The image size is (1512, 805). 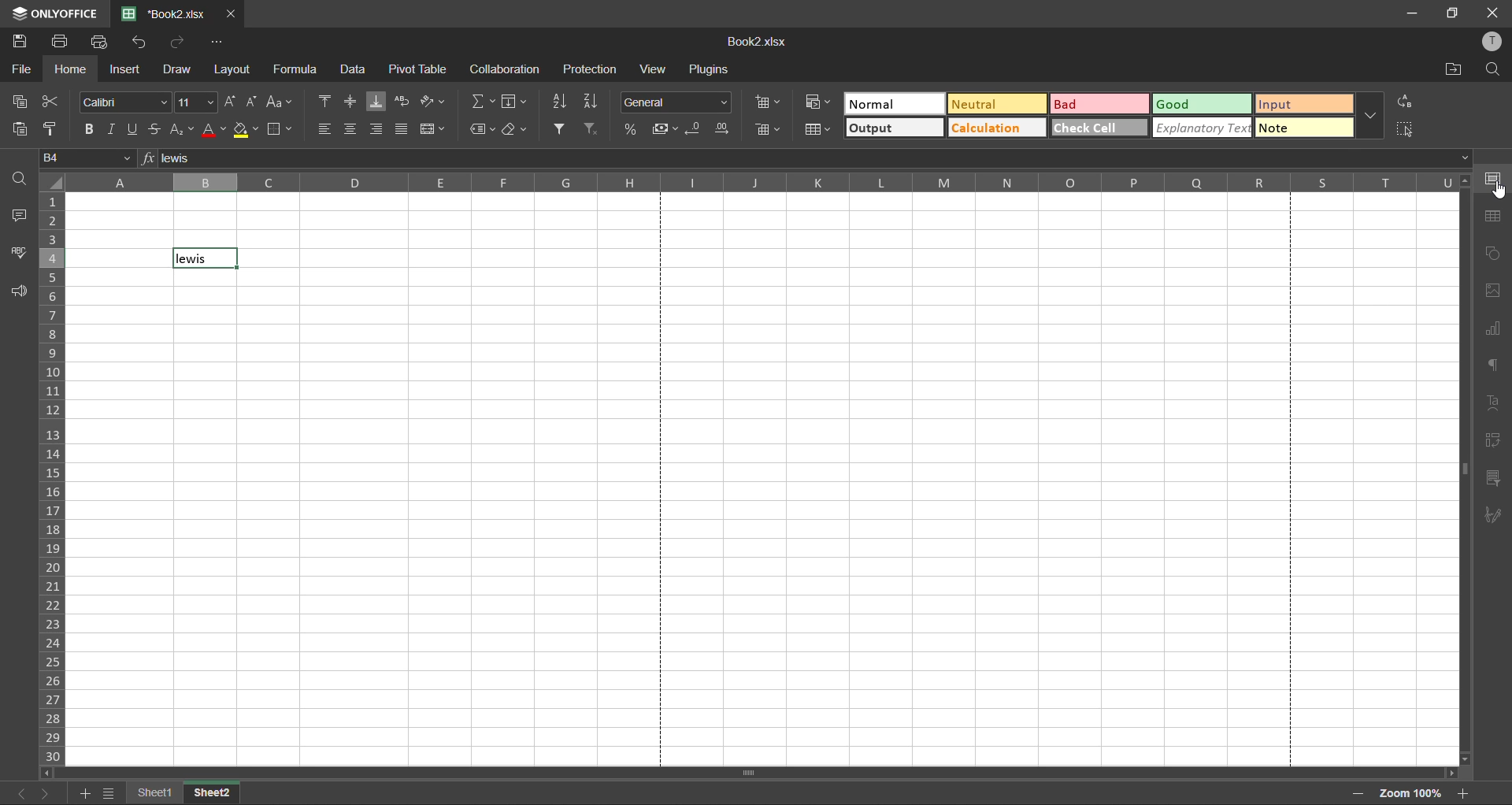 I want to click on horizontal scrollbar, so click(x=750, y=773).